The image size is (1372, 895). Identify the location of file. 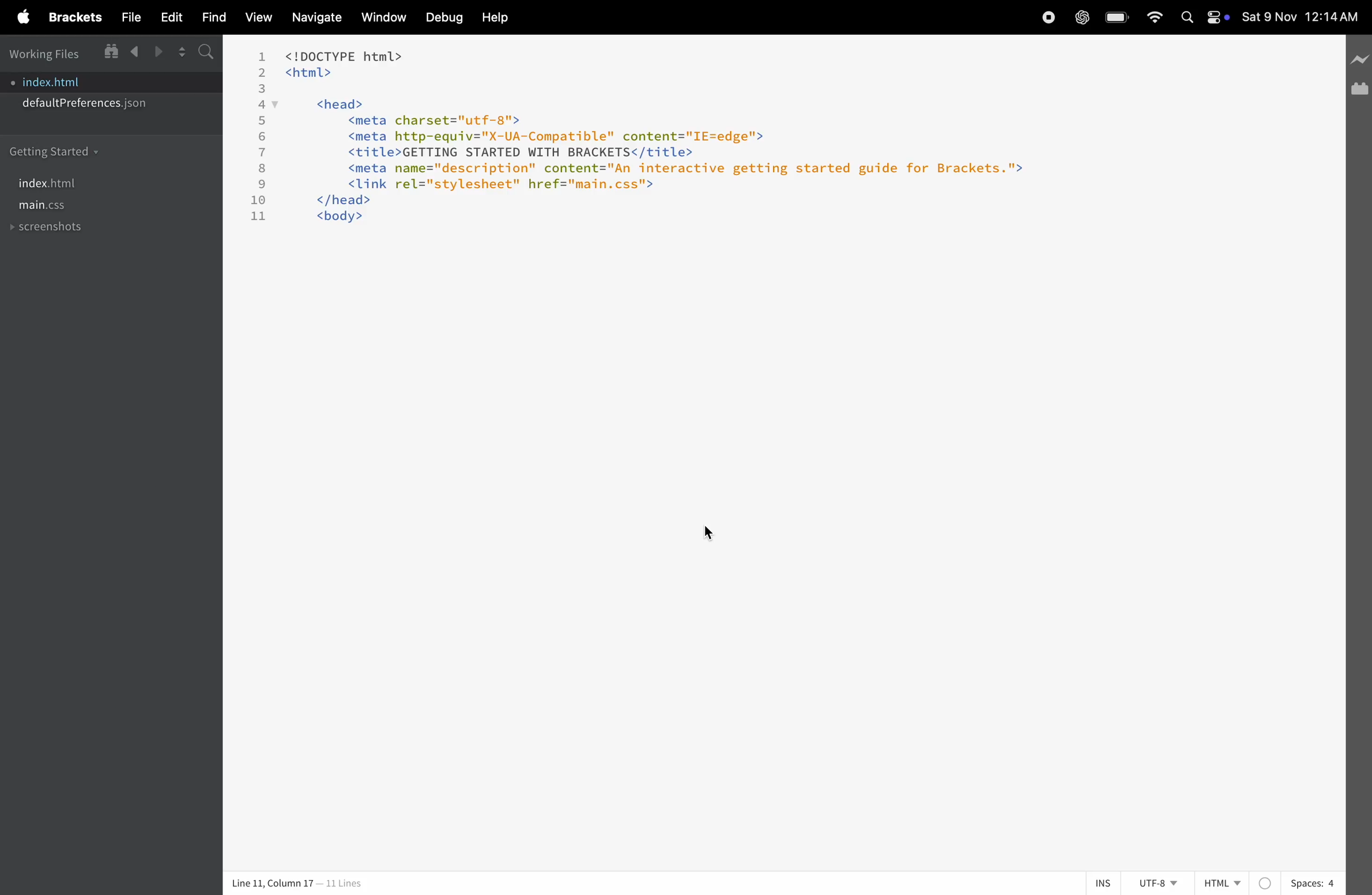
(129, 17).